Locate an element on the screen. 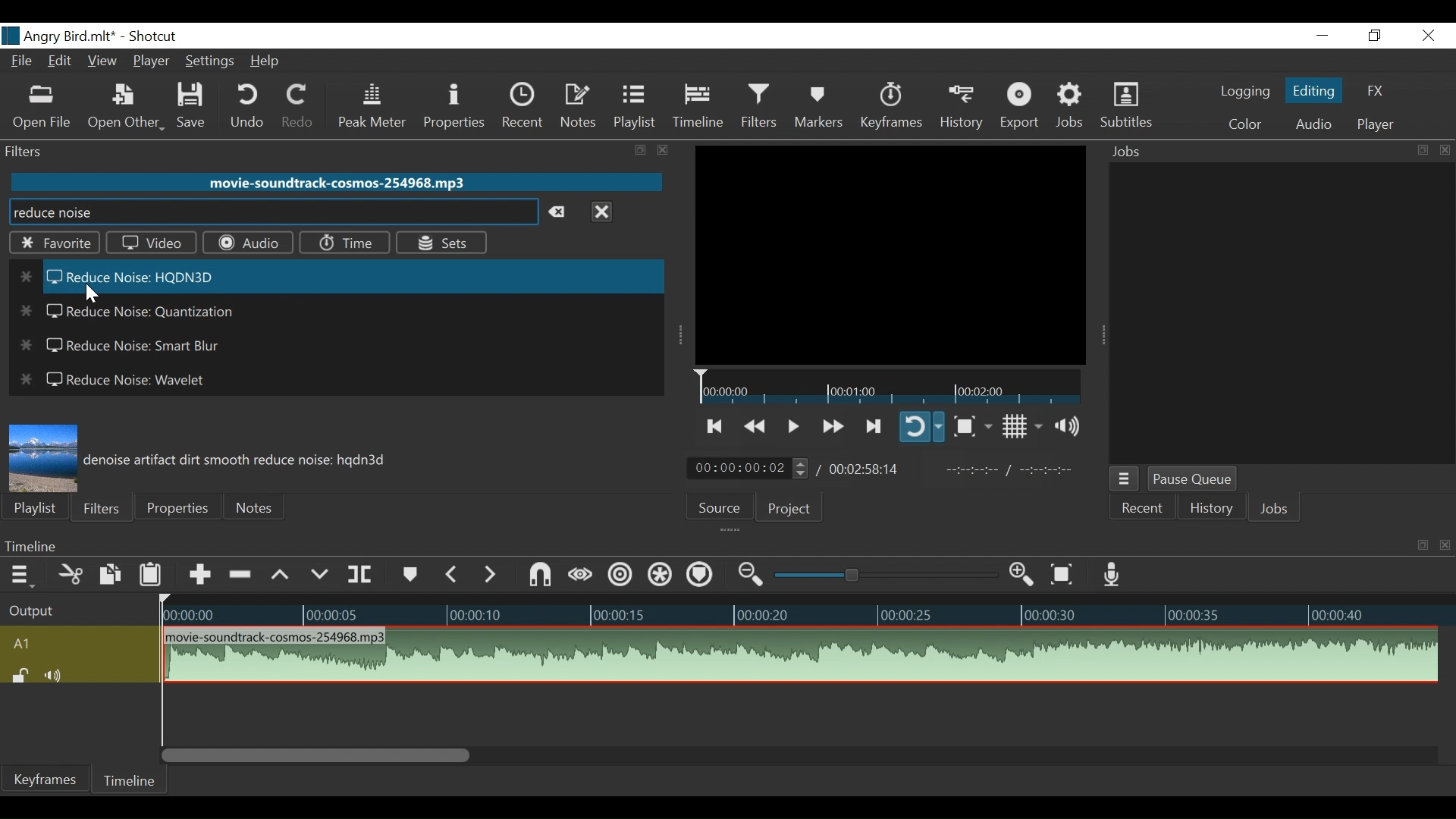 Image resolution: width=1456 pixels, height=819 pixels. History is located at coordinates (1210, 510).